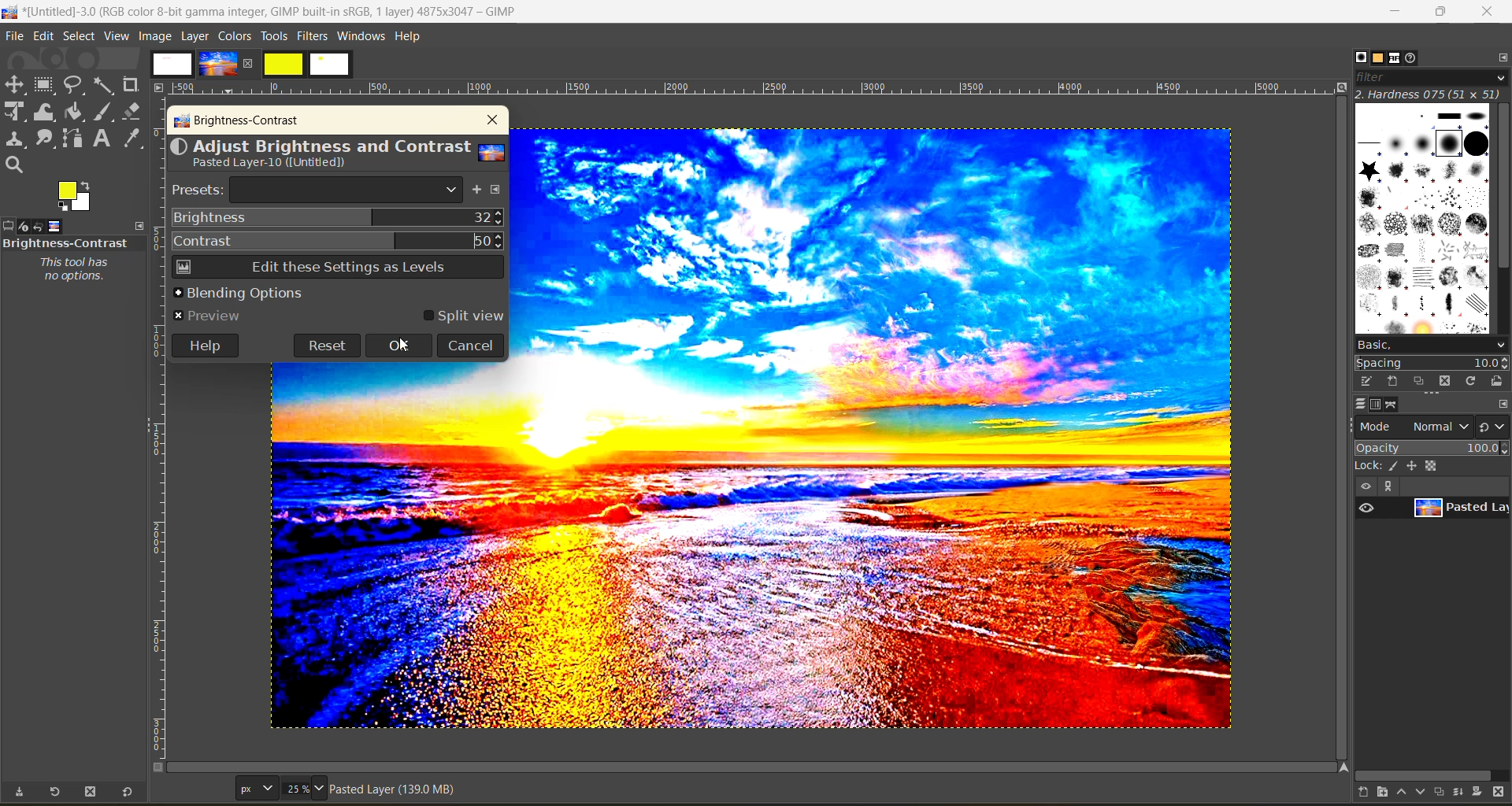 This screenshot has width=1512, height=806. I want to click on filter, so click(1432, 77).